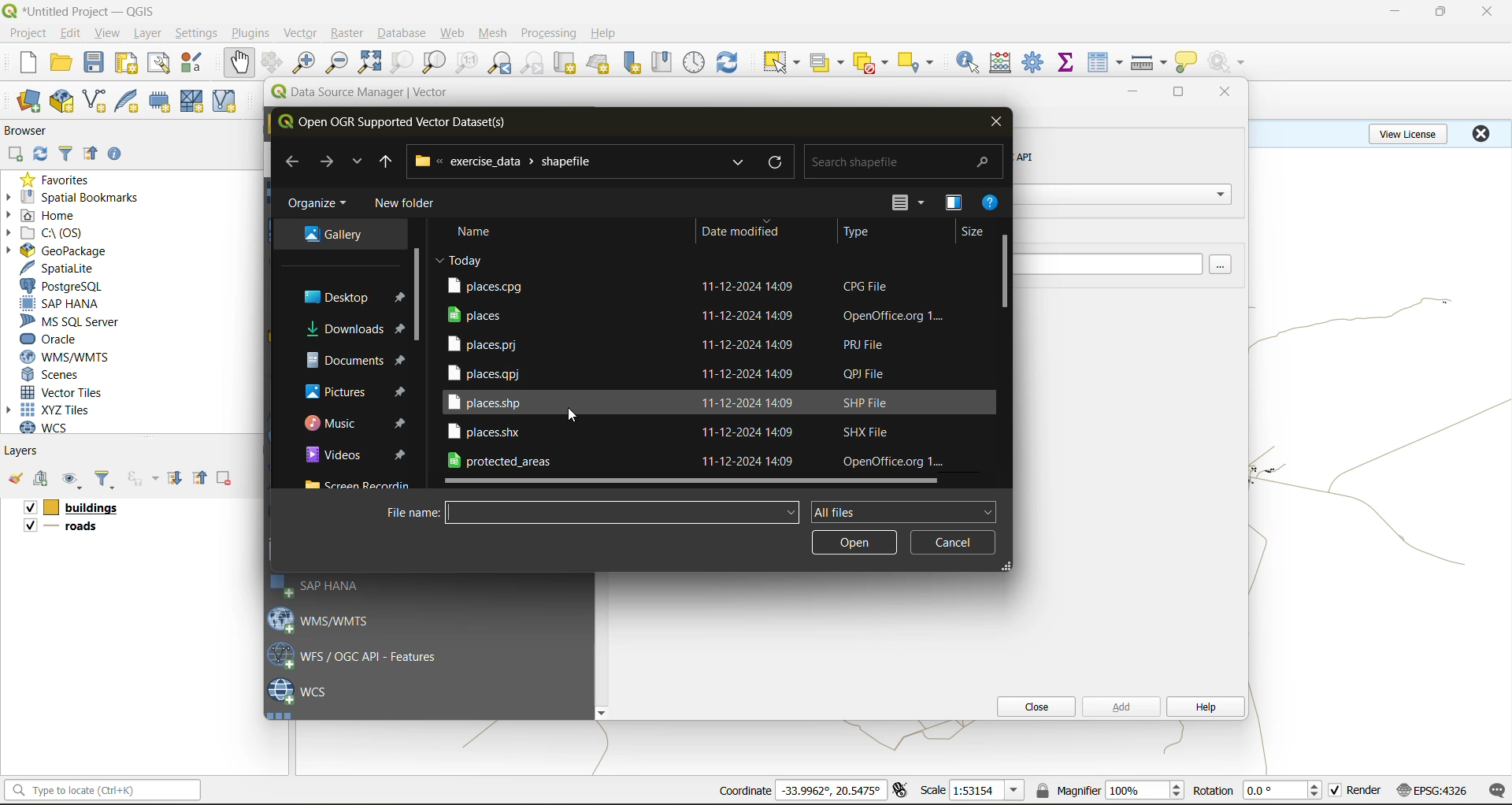  What do you see at coordinates (61, 287) in the screenshot?
I see `postgresql` at bounding box center [61, 287].